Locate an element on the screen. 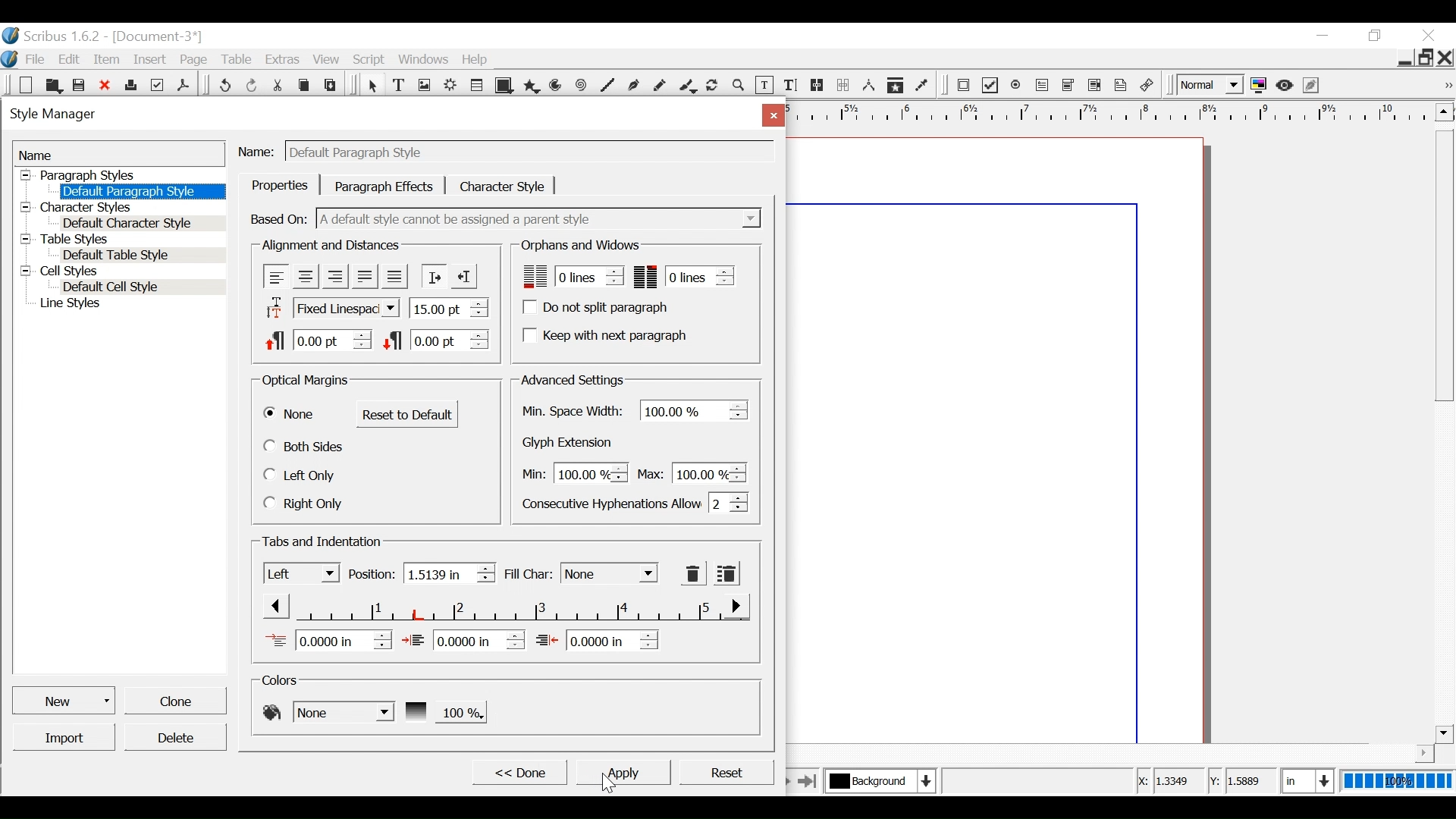  (un)Select left only is located at coordinates (302, 475).